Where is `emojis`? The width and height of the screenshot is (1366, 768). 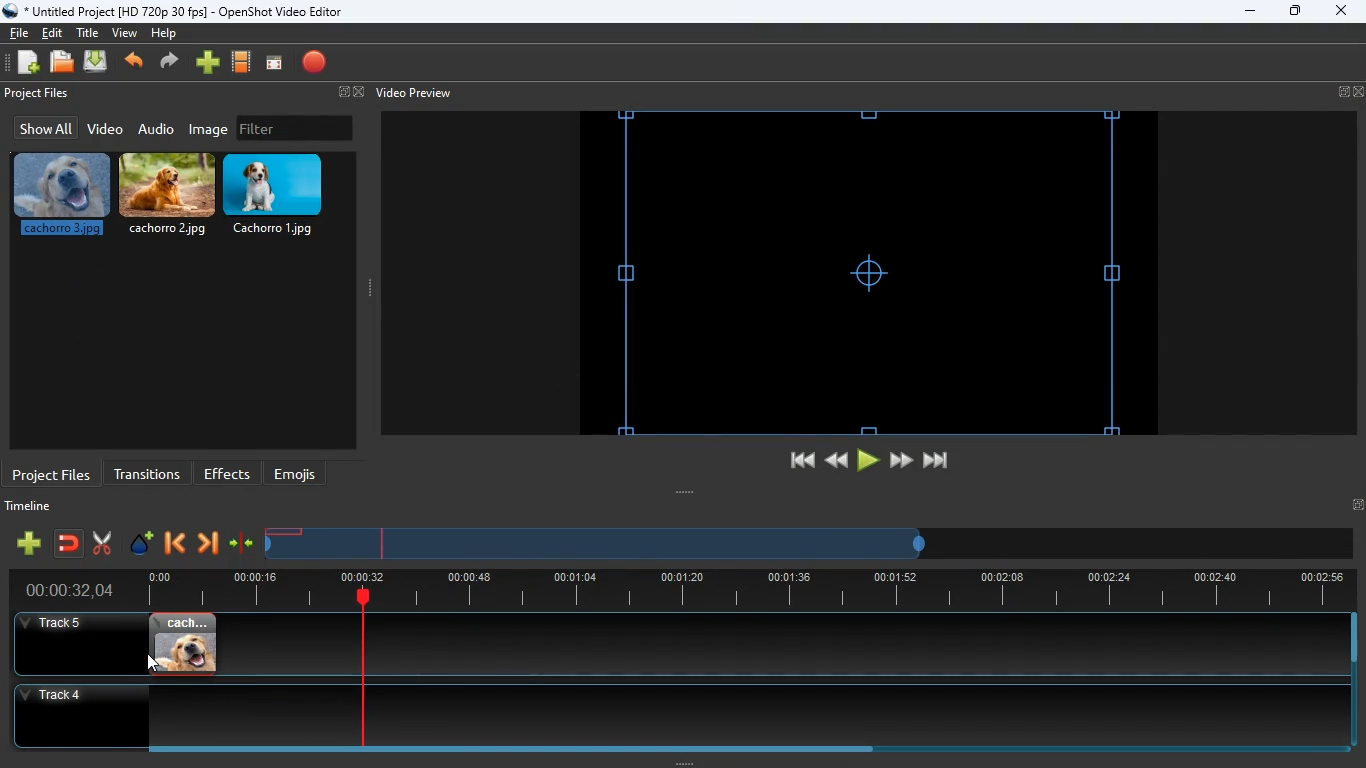
emojis is located at coordinates (300, 474).